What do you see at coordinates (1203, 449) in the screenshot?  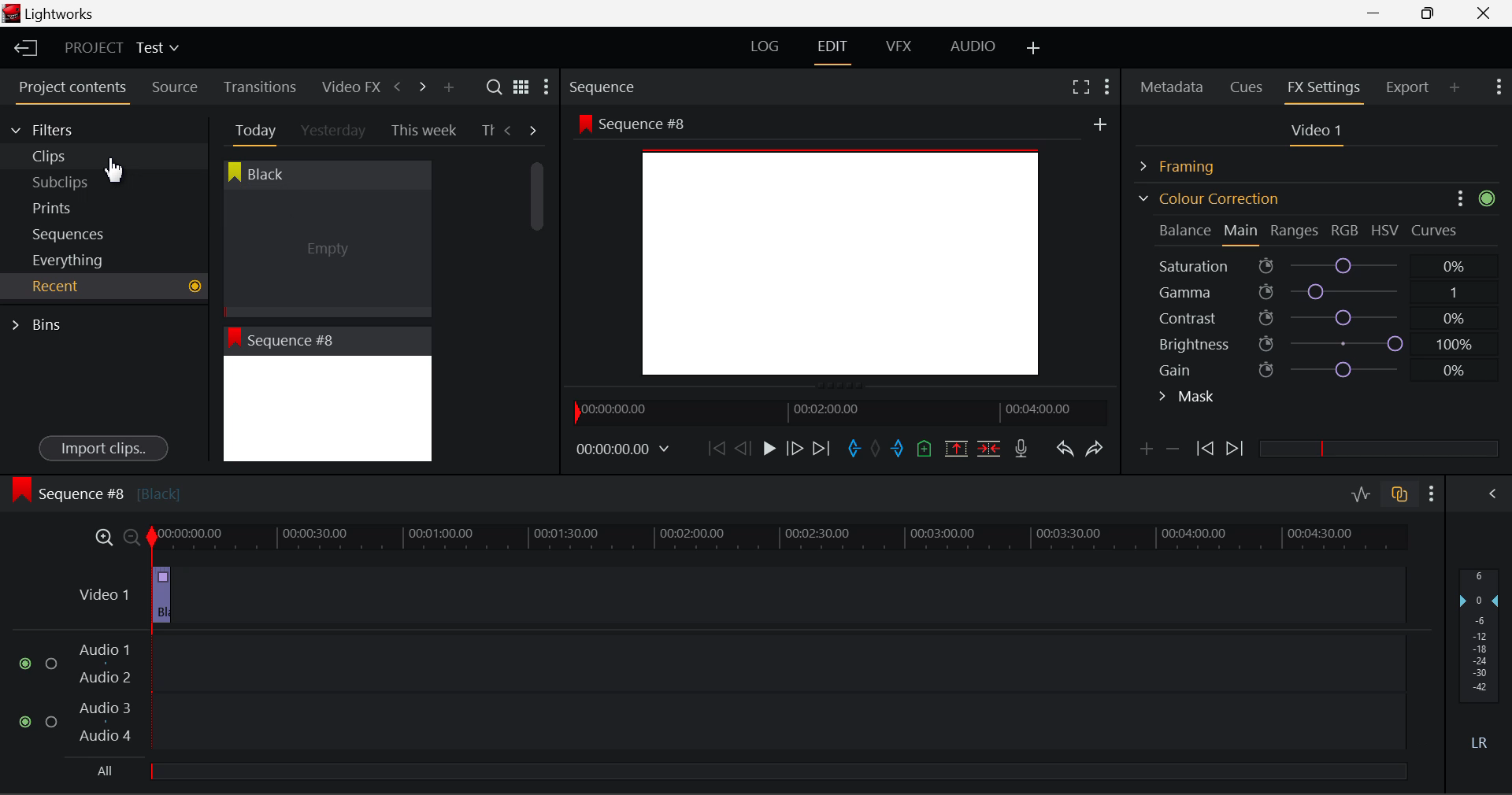 I see `Previous keyframe` at bounding box center [1203, 449].